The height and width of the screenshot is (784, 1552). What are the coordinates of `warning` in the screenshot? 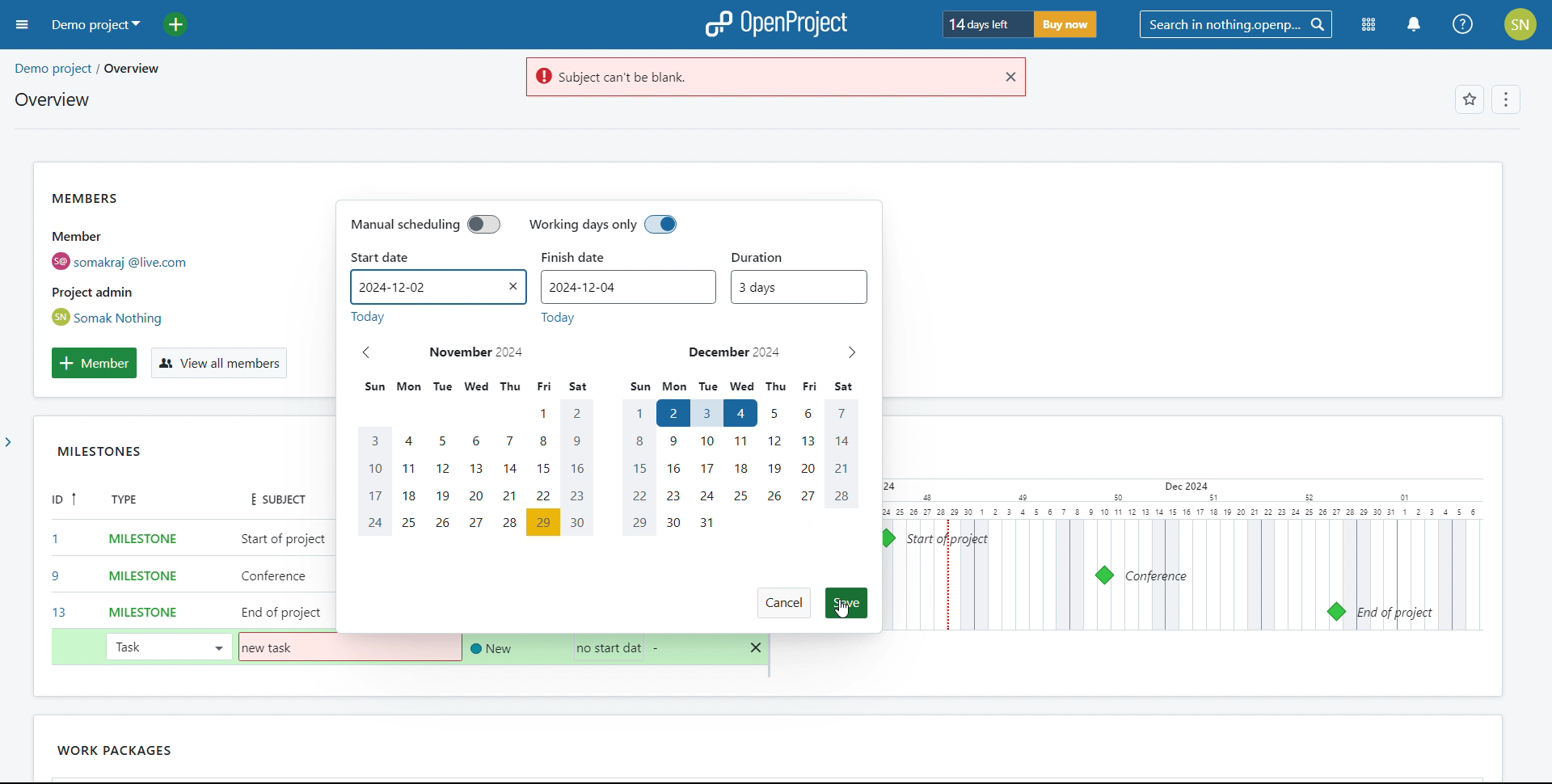 It's located at (756, 78).